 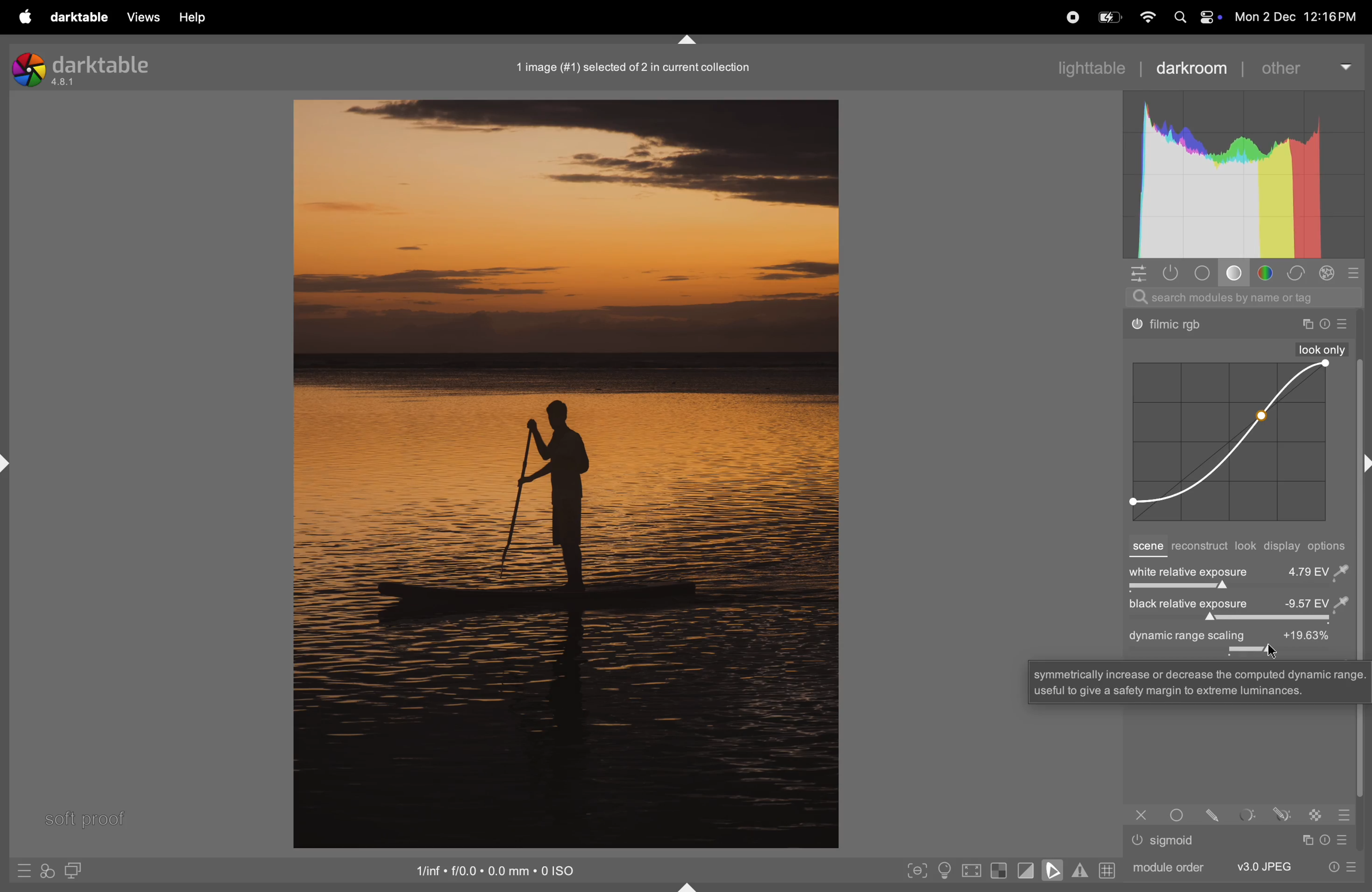 What do you see at coordinates (1249, 815) in the screenshot?
I see `` at bounding box center [1249, 815].